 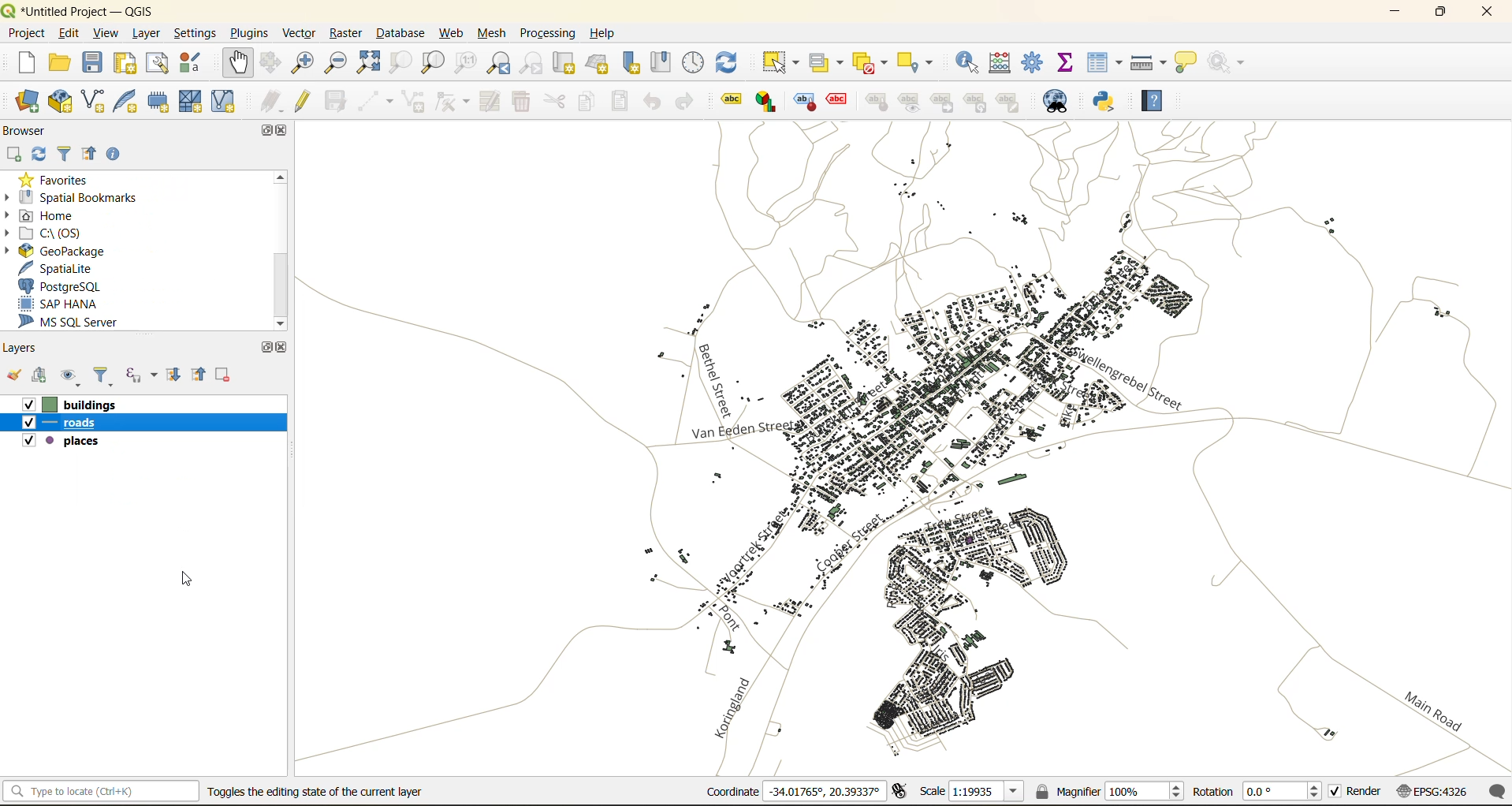 What do you see at coordinates (840, 102) in the screenshot?
I see `toggle display of unplaced labels` at bounding box center [840, 102].